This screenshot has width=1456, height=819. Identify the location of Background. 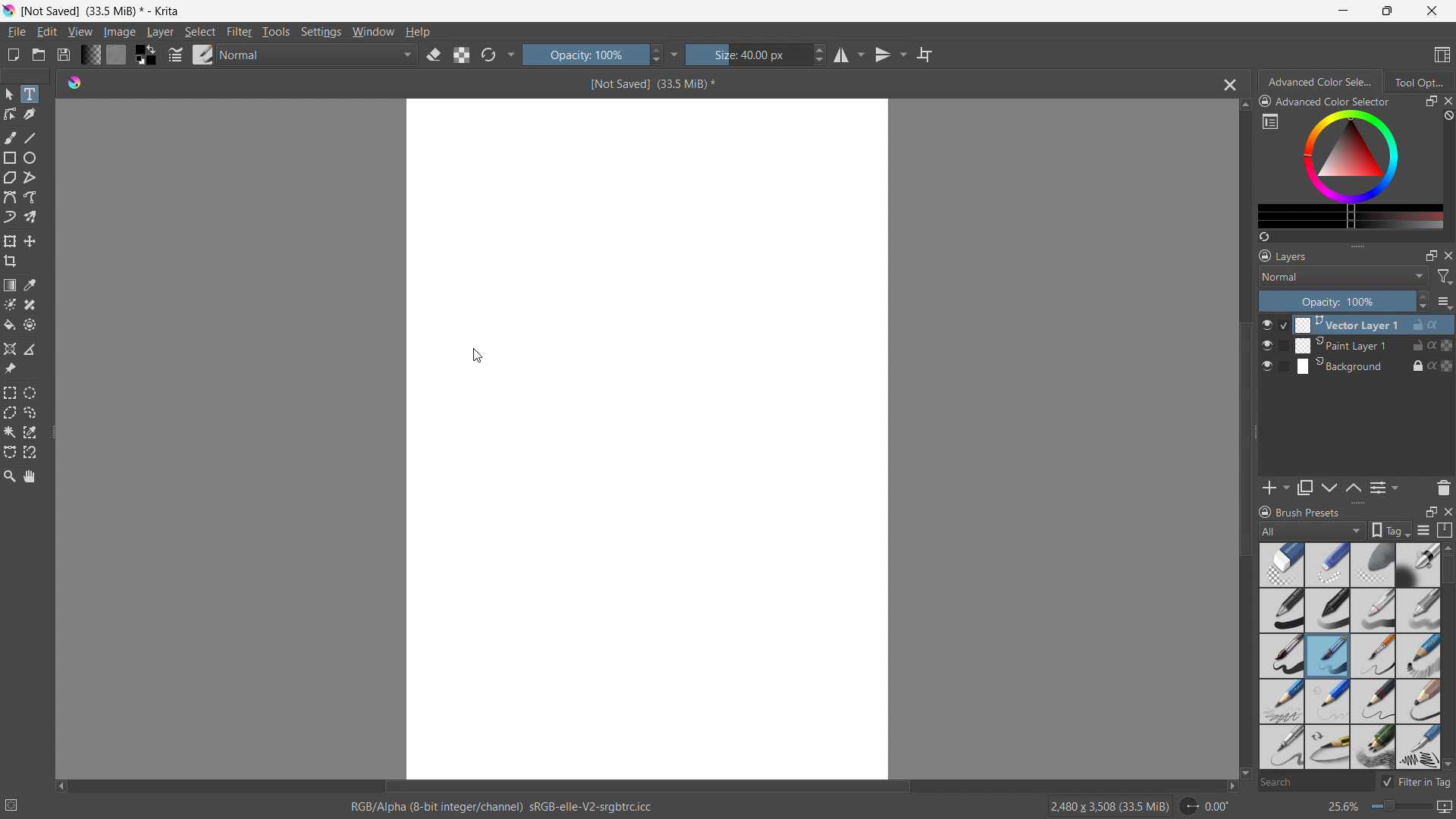
(1365, 366).